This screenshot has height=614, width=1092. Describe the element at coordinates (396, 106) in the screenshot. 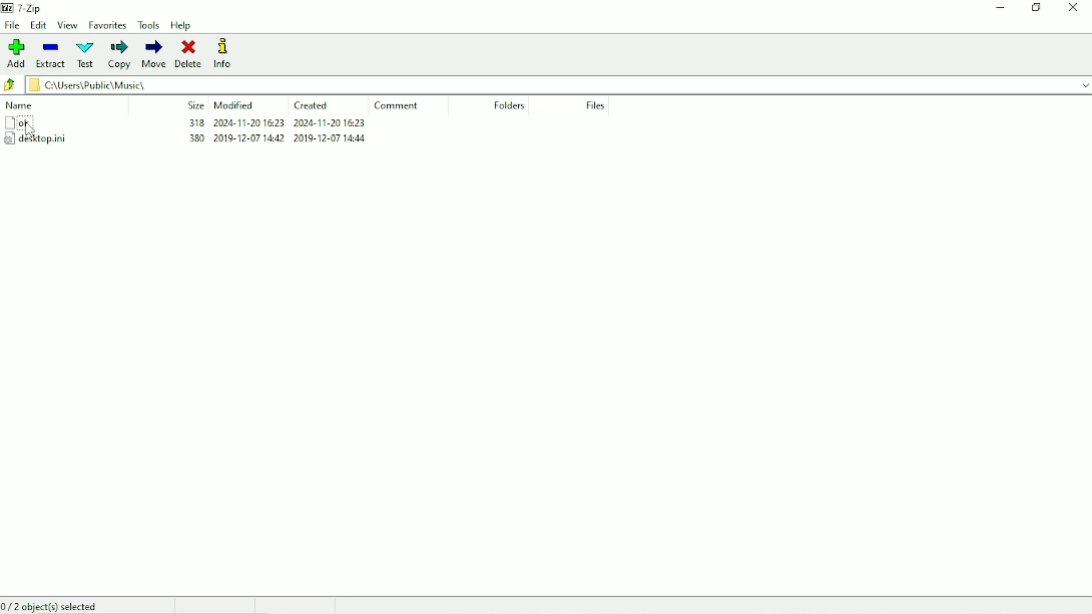

I see `Comment` at that location.